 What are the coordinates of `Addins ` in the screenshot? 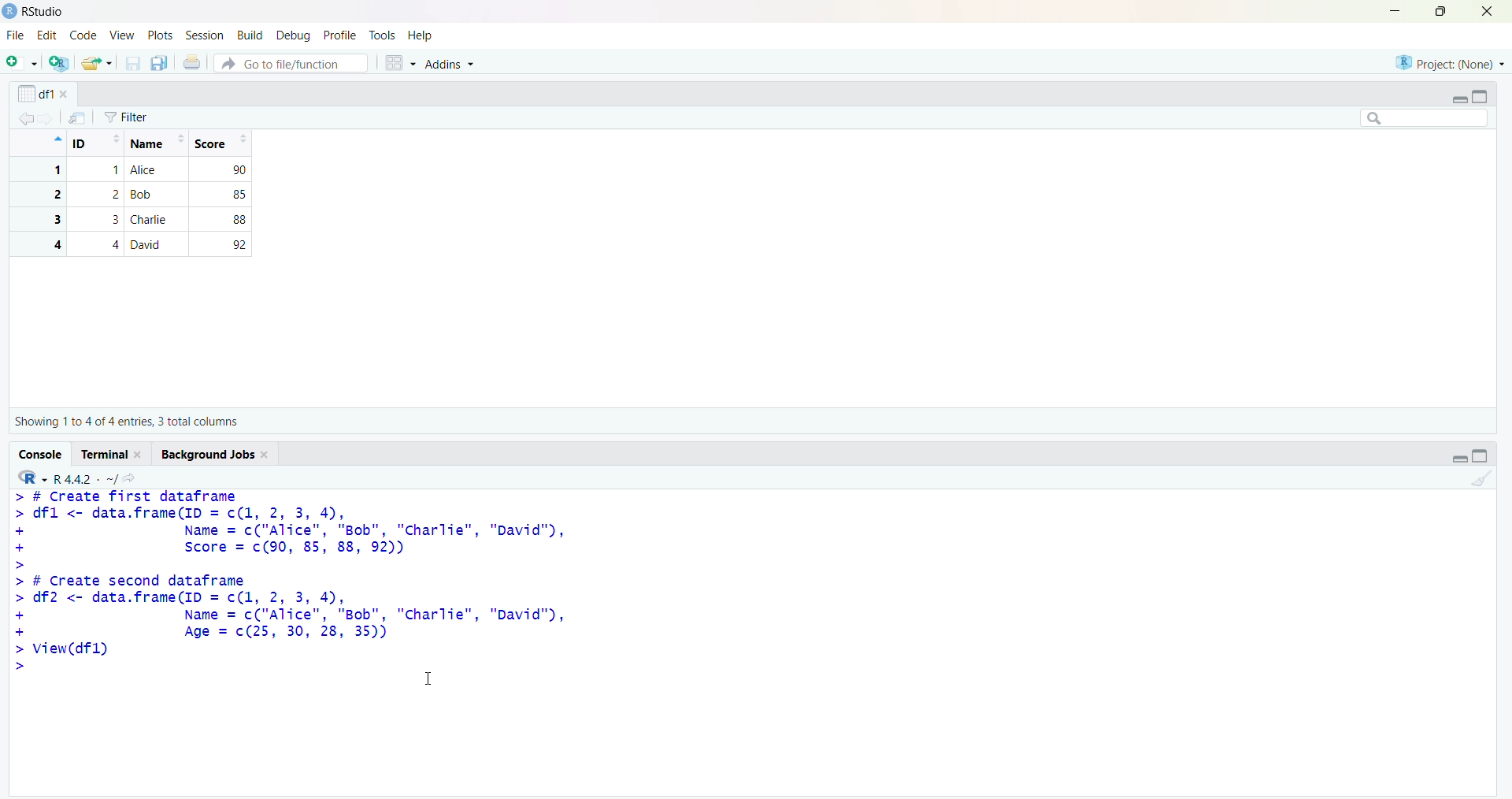 It's located at (448, 63).